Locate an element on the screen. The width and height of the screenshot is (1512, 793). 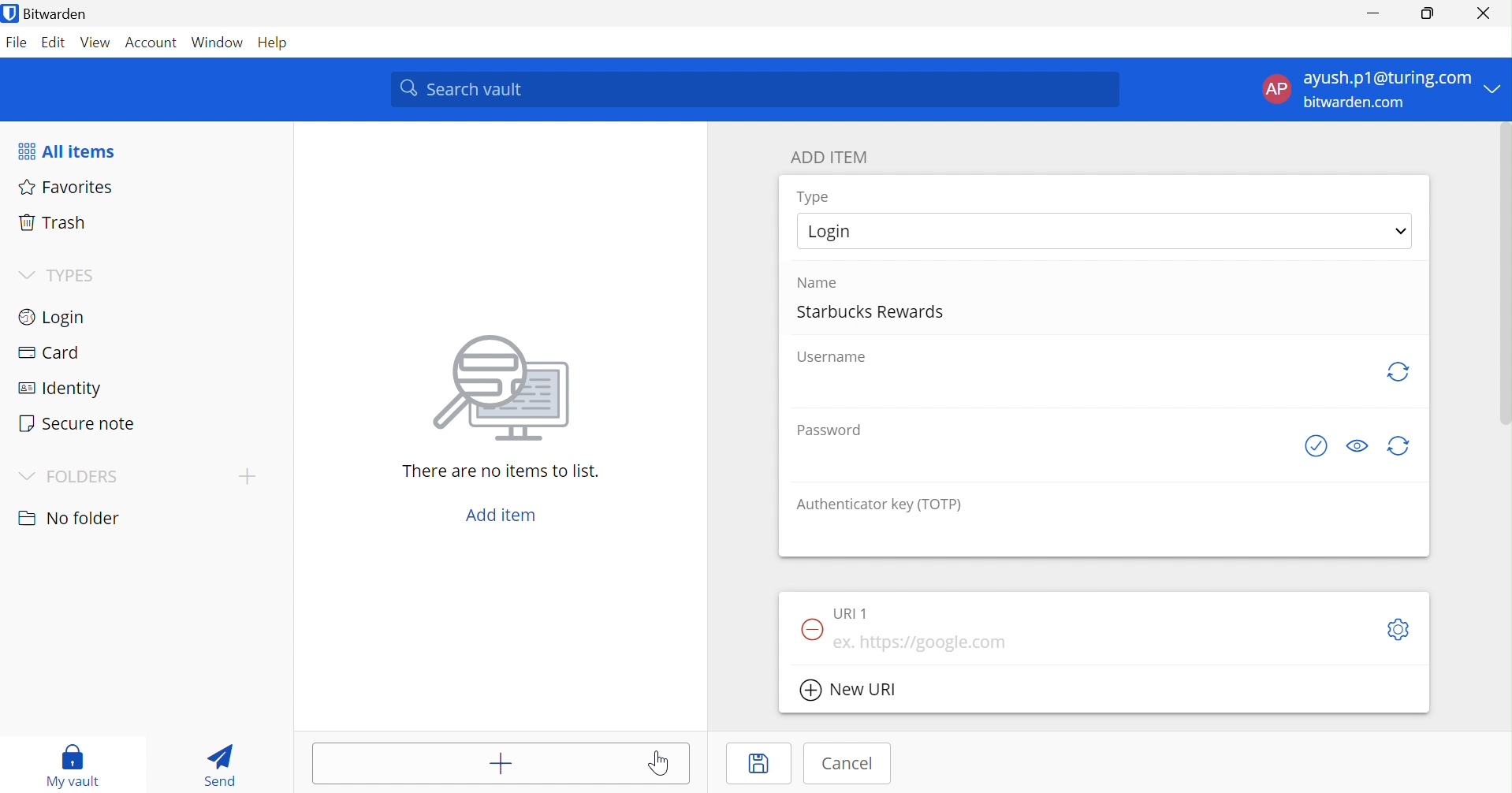
View is located at coordinates (95, 45).